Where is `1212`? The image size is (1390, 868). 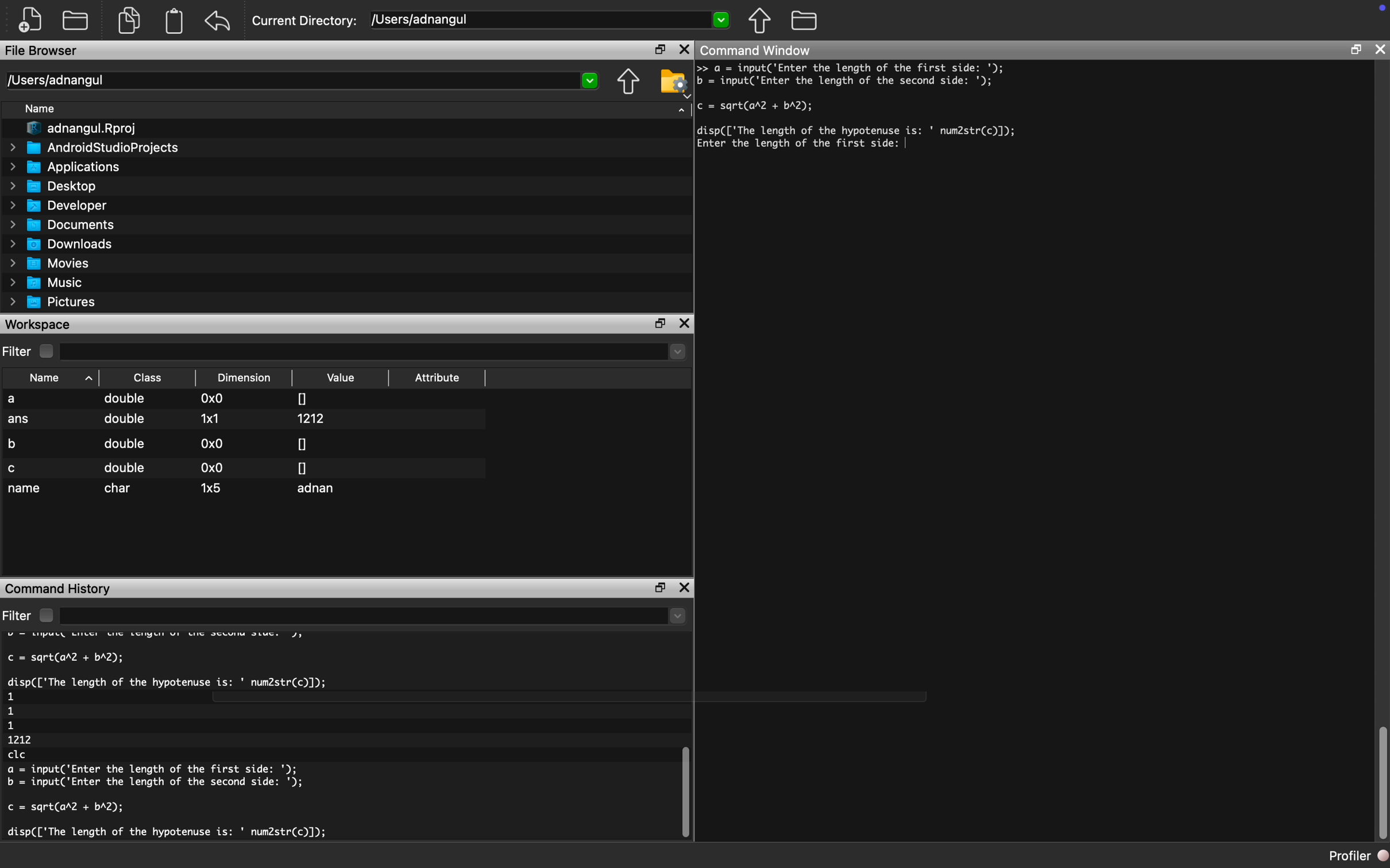
1212 is located at coordinates (314, 418).